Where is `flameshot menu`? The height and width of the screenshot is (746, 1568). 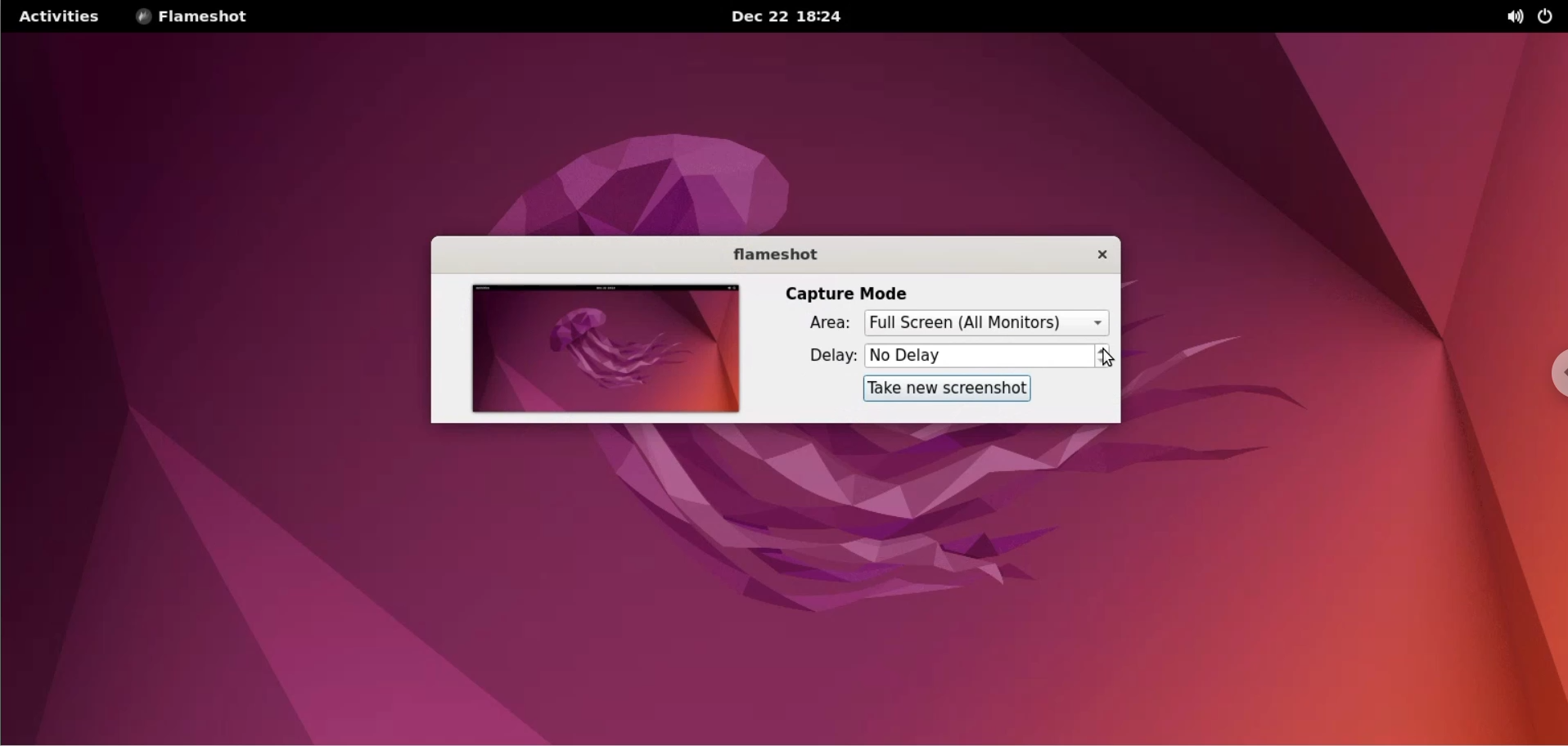 flameshot menu is located at coordinates (205, 17).